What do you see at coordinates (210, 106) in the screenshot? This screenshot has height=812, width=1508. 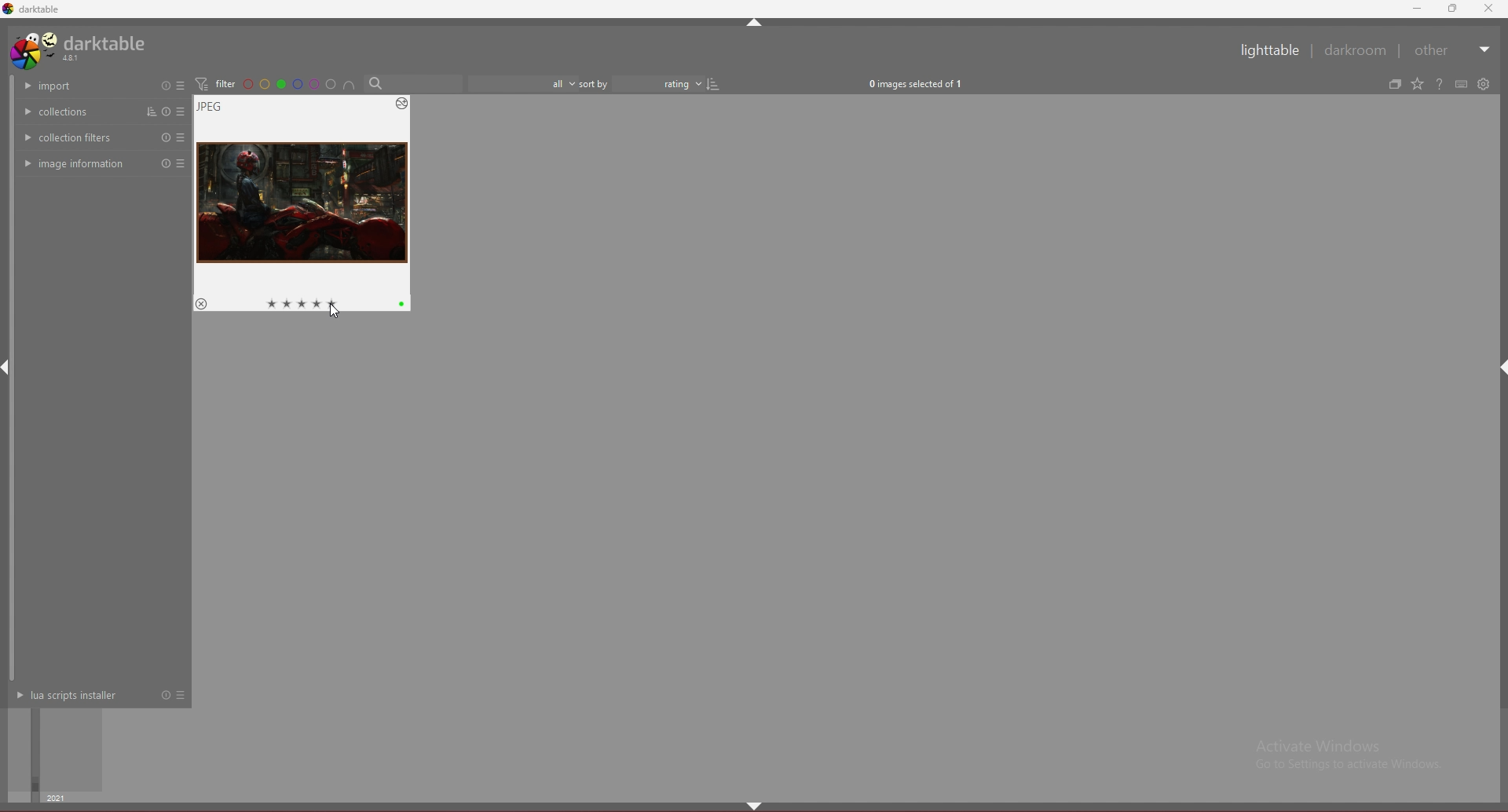 I see `image type` at bounding box center [210, 106].